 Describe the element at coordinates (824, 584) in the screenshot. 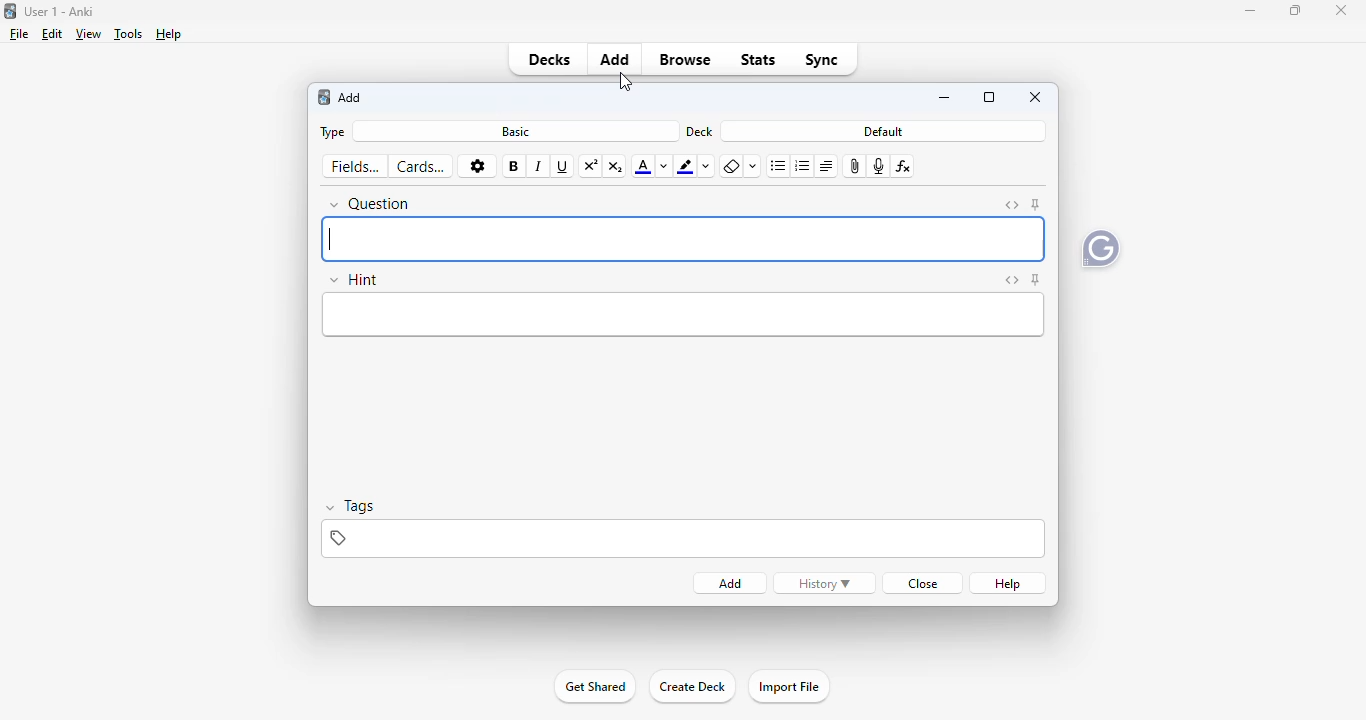

I see `history` at that location.